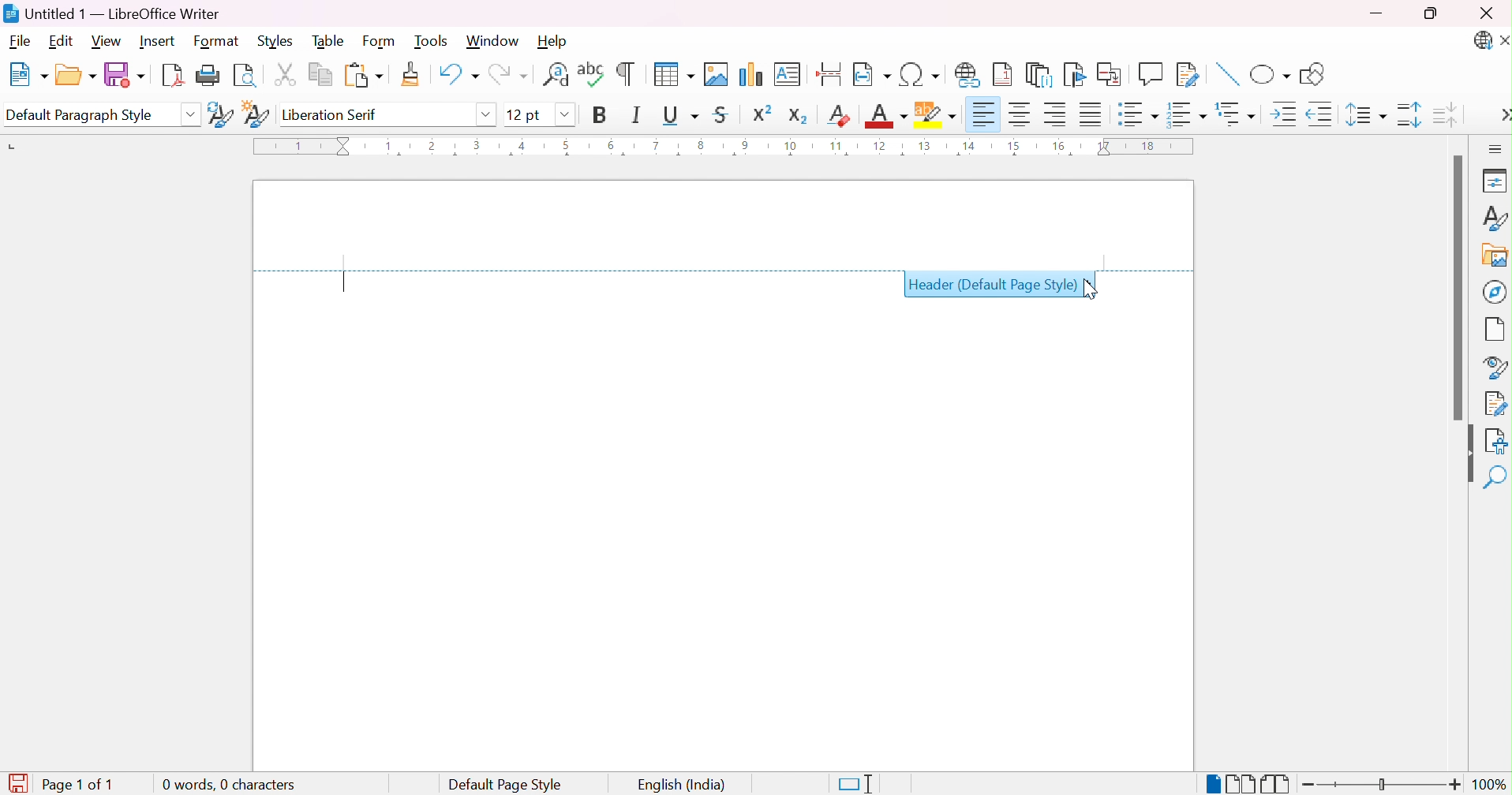 The image size is (1512, 795). Describe the element at coordinates (489, 117) in the screenshot. I see `Drop down` at that location.